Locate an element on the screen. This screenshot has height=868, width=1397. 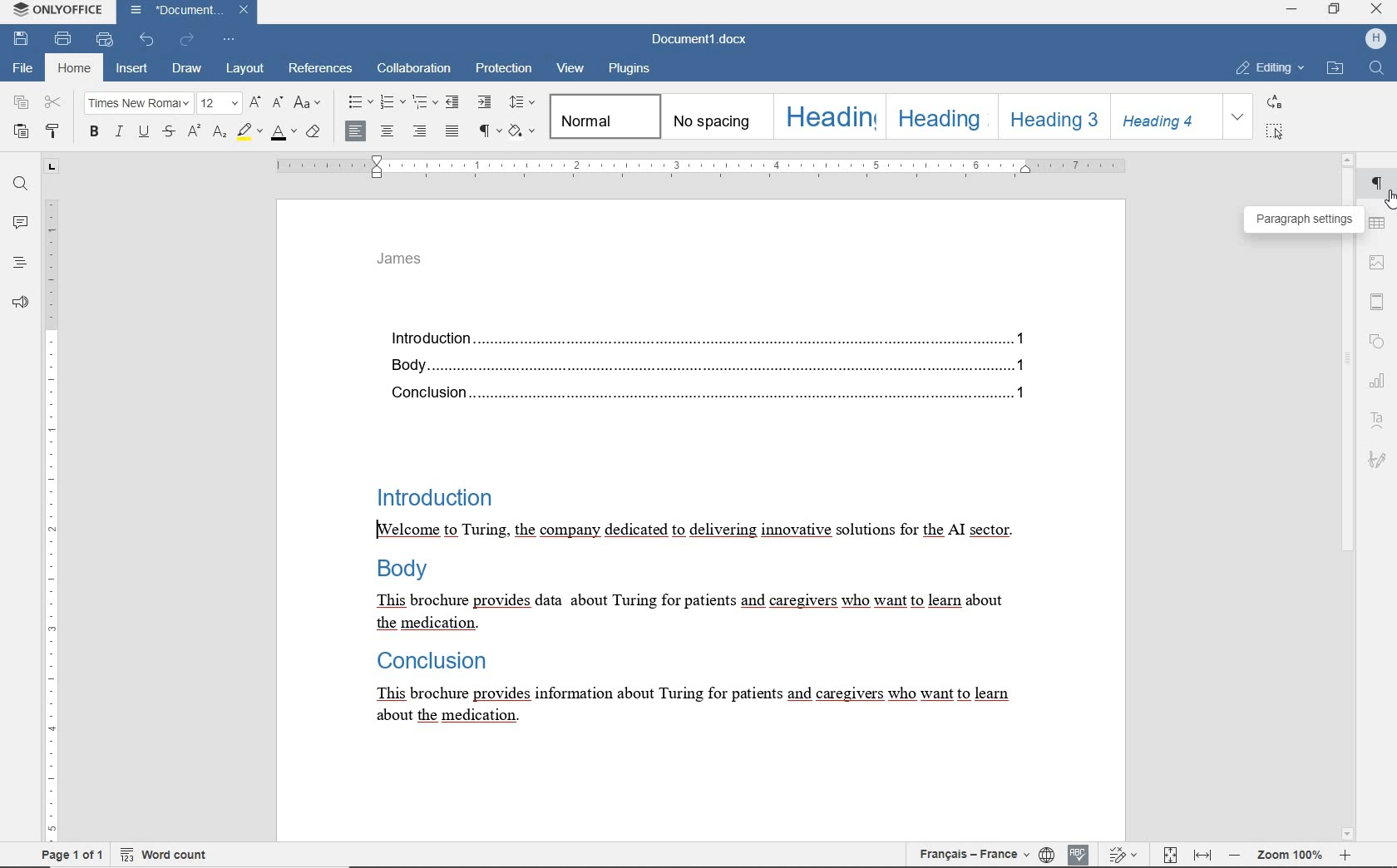
referenes is located at coordinates (322, 69).